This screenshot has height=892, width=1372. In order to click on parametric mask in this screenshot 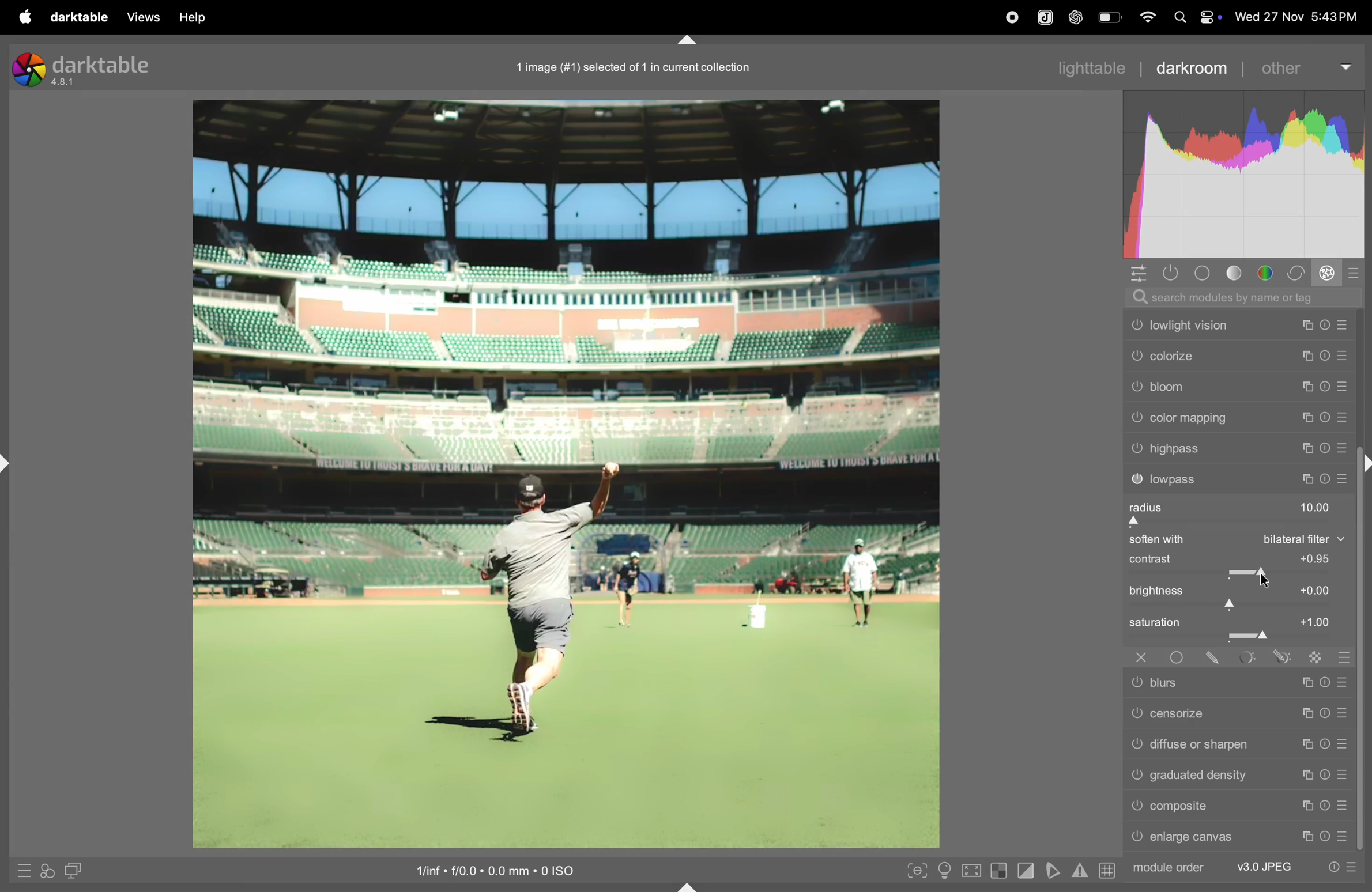, I will do `click(1246, 659)`.